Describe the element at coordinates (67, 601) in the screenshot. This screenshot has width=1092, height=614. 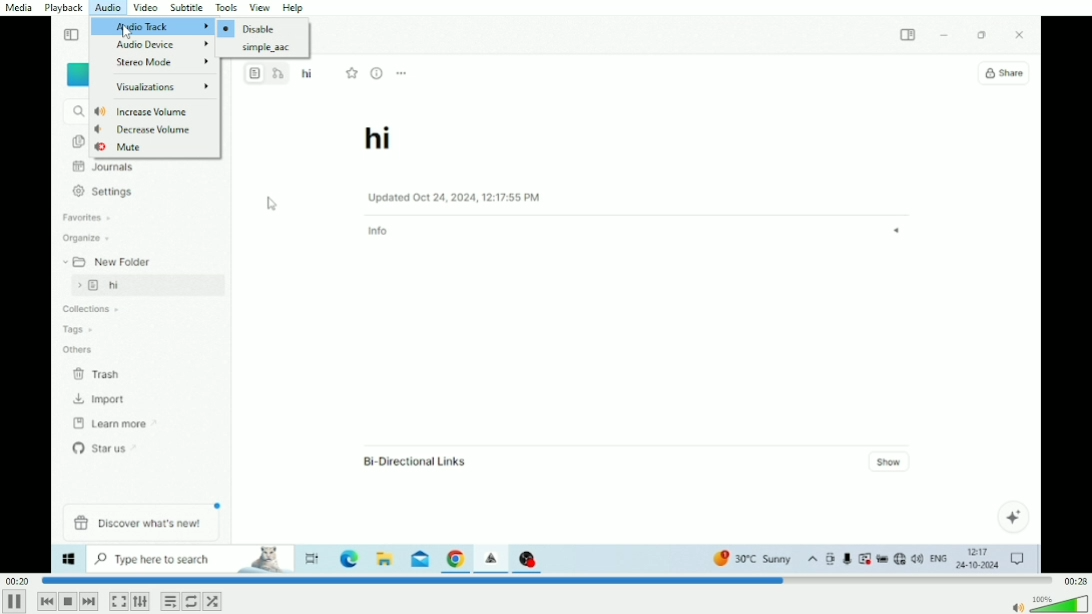
I see `Stop playback` at that location.